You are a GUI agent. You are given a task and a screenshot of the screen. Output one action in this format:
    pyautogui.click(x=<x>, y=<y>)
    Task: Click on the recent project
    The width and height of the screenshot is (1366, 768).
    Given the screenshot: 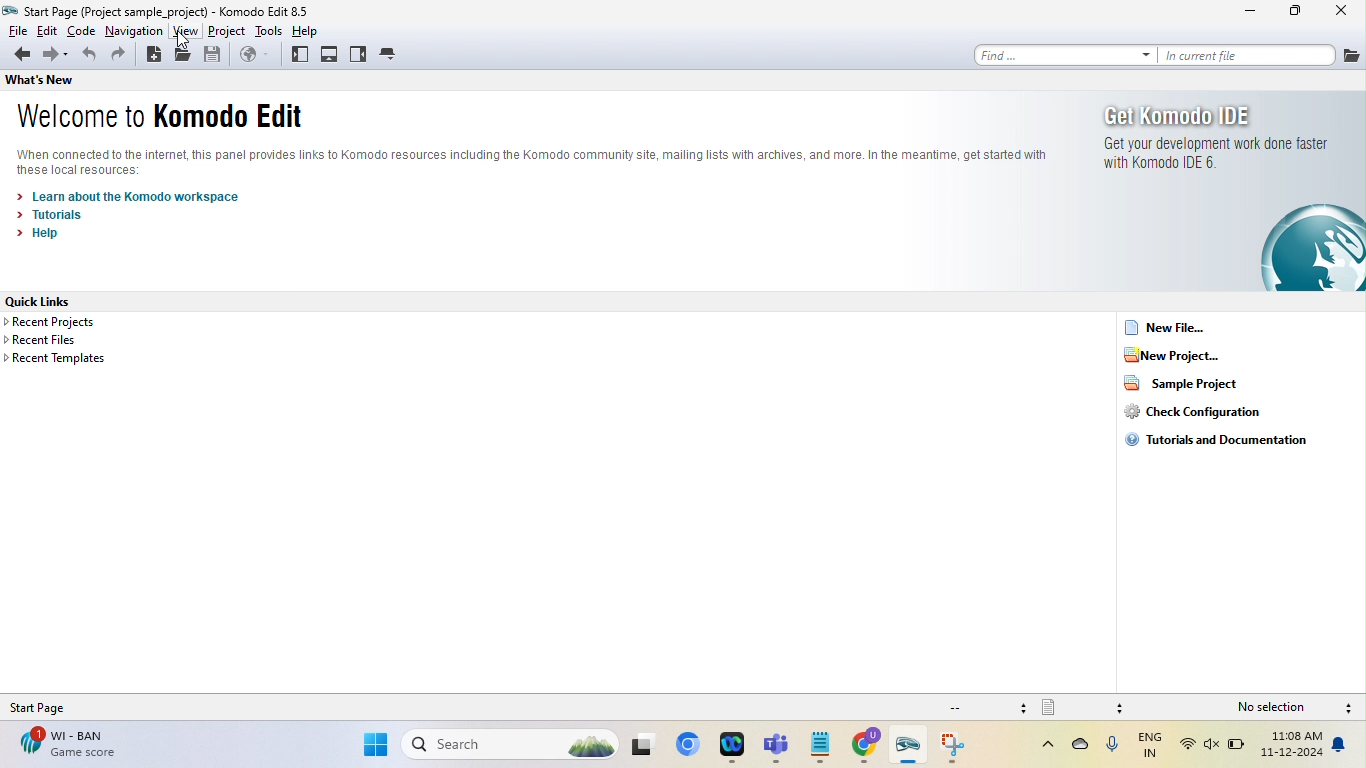 What is the action you would take?
    pyautogui.click(x=73, y=323)
    